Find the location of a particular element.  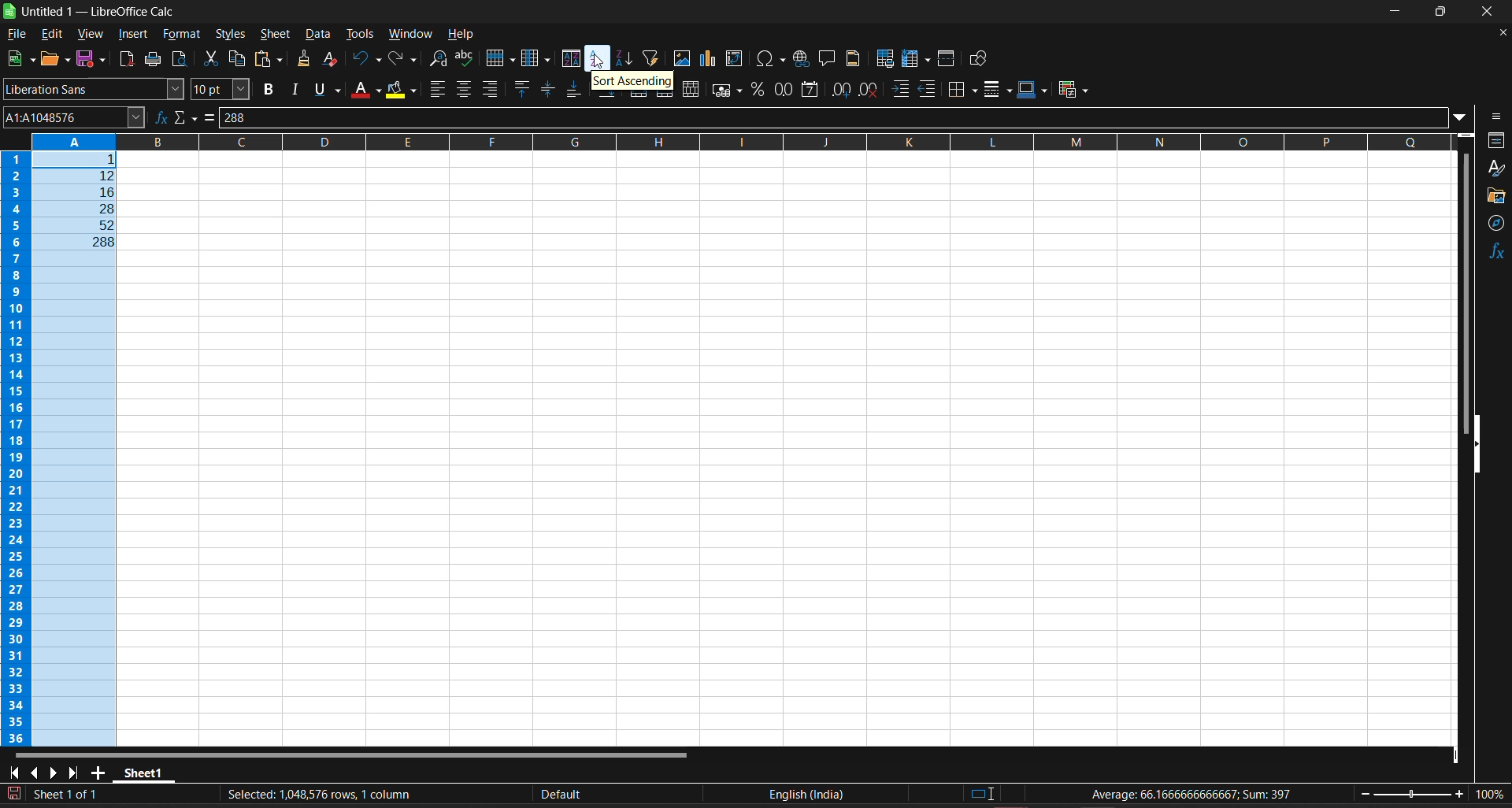

edit is located at coordinates (52, 35).